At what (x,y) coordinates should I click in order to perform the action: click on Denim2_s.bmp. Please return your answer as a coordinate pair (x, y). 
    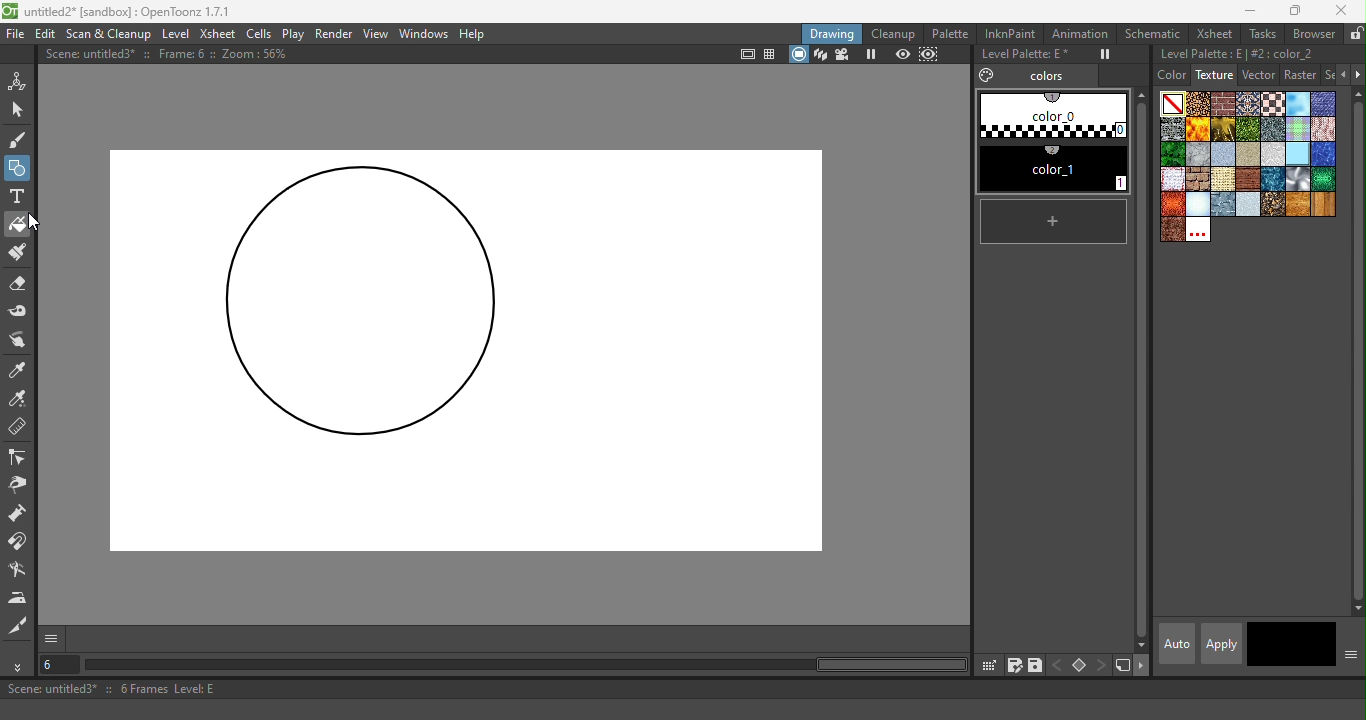
    Looking at the image, I should click on (1324, 102).